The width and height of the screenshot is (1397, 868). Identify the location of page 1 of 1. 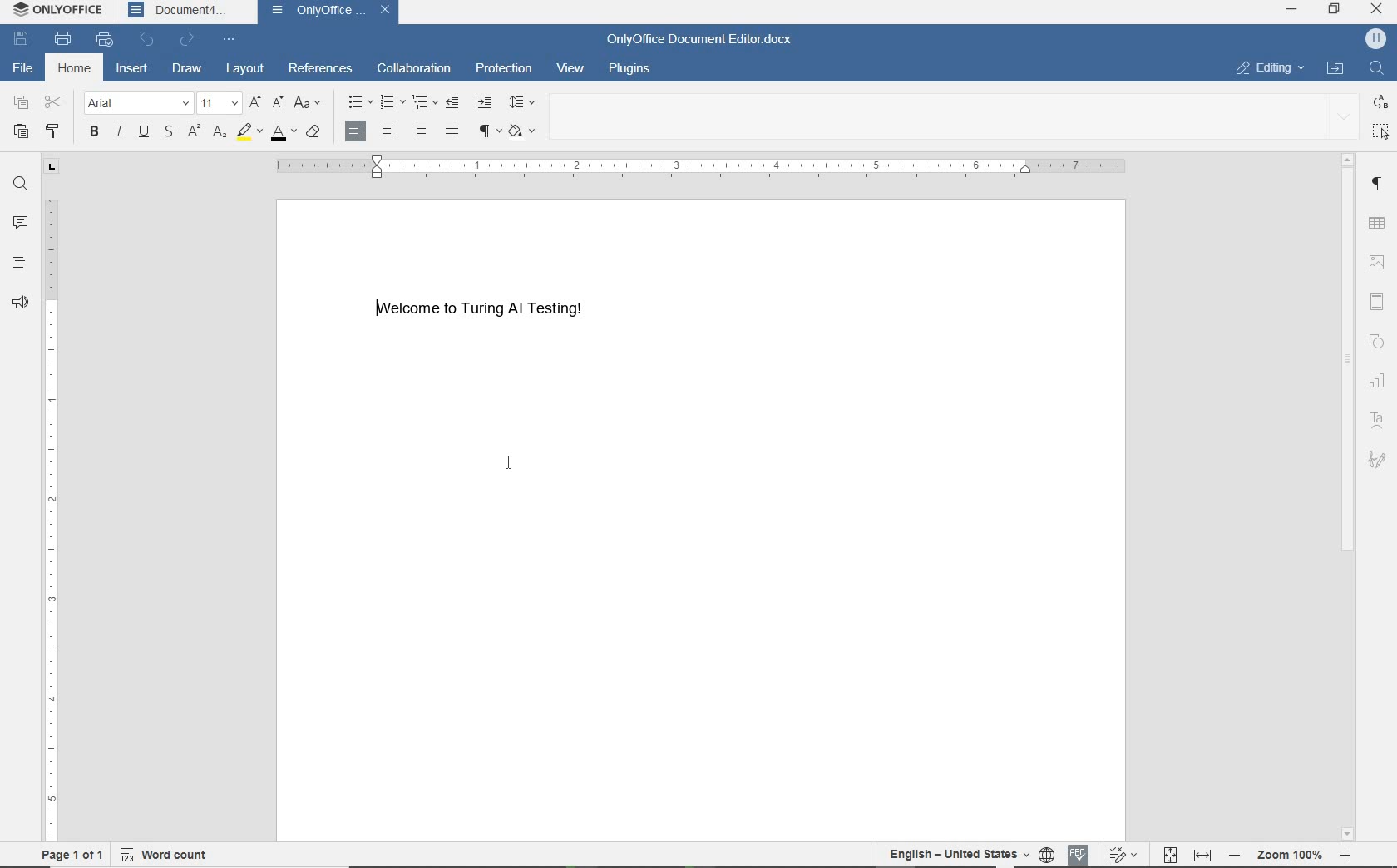
(73, 856).